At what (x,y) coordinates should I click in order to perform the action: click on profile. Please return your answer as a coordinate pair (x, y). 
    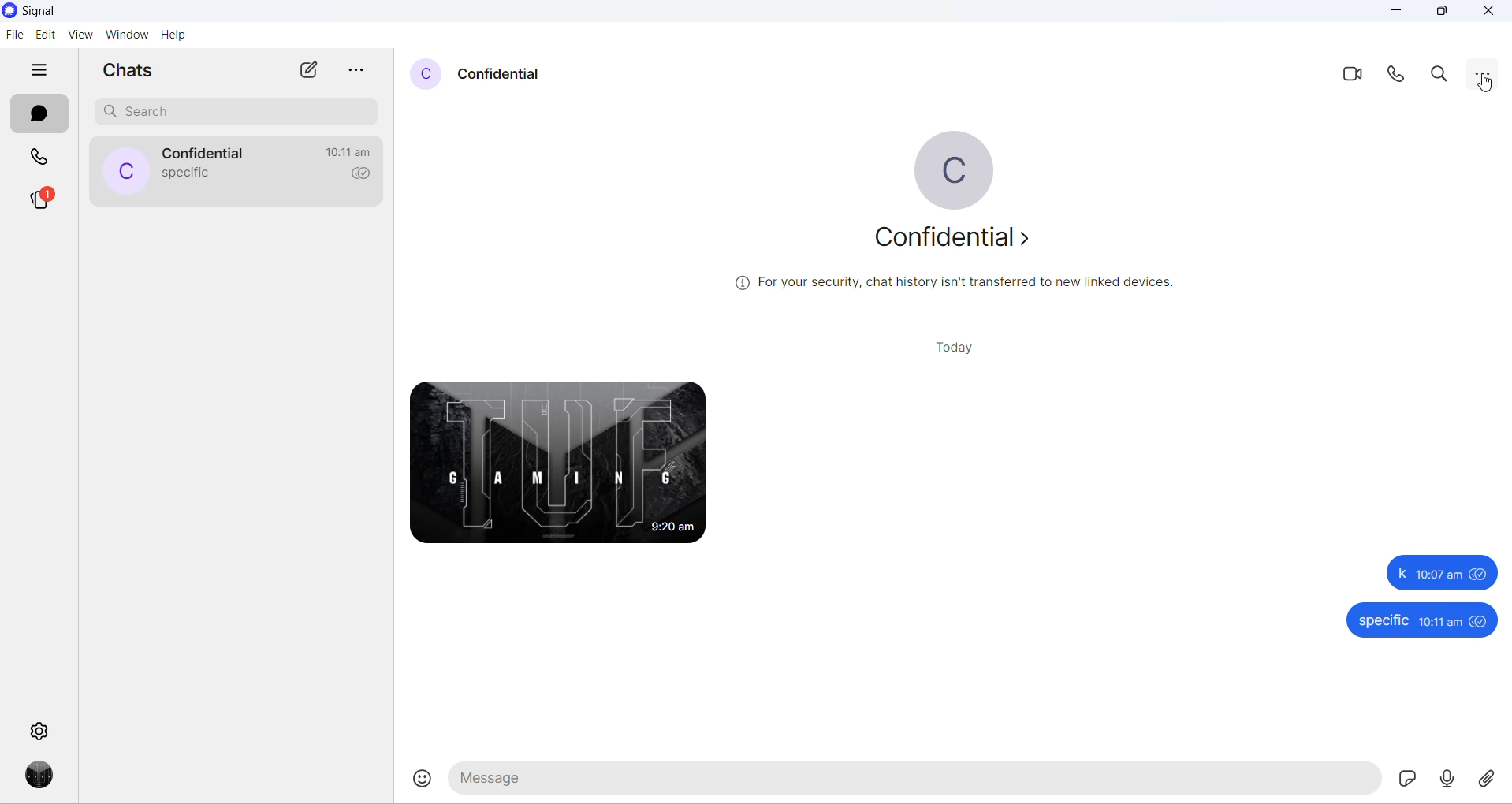
    Looking at the image, I should click on (42, 776).